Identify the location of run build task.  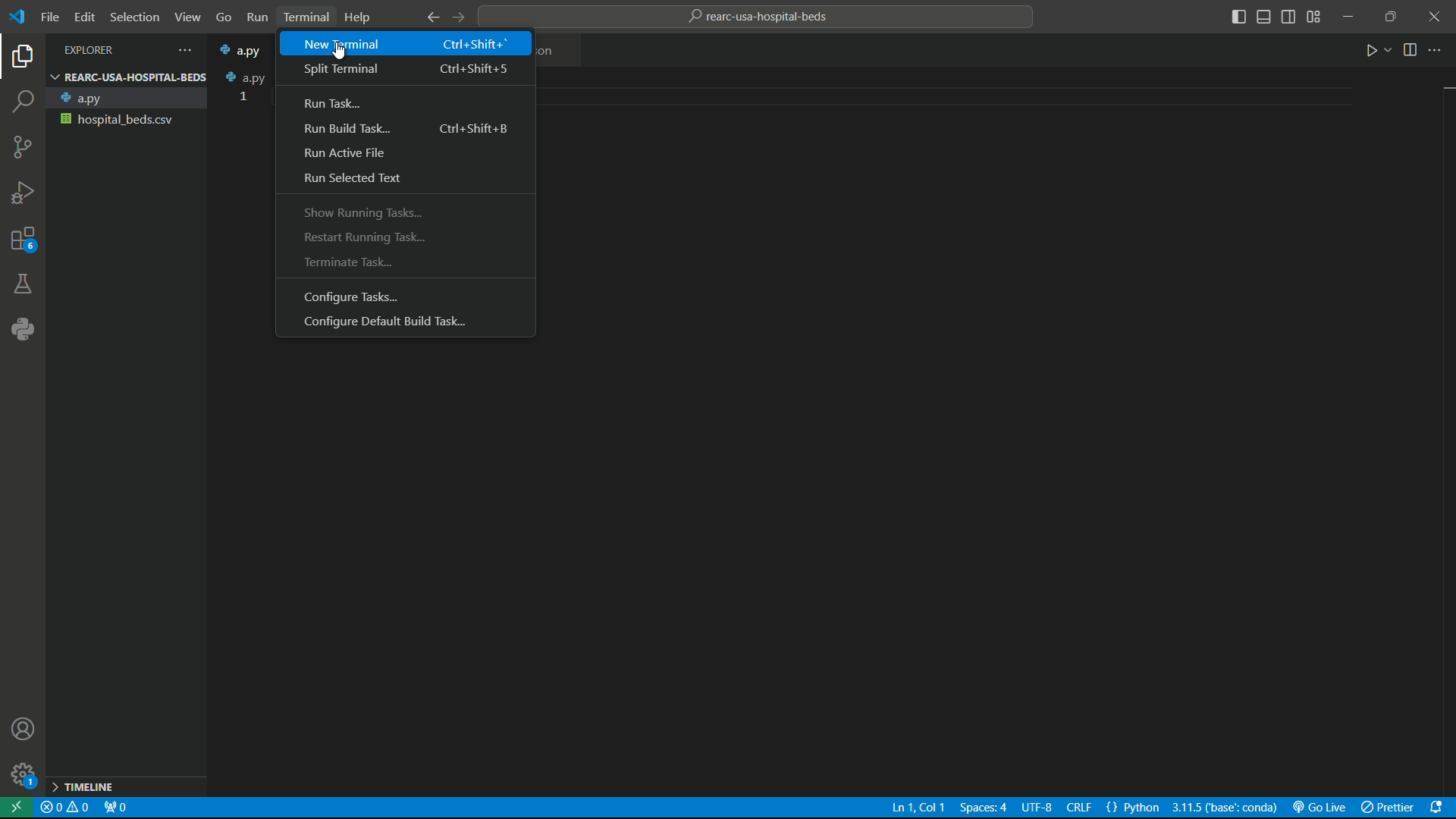
(404, 130).